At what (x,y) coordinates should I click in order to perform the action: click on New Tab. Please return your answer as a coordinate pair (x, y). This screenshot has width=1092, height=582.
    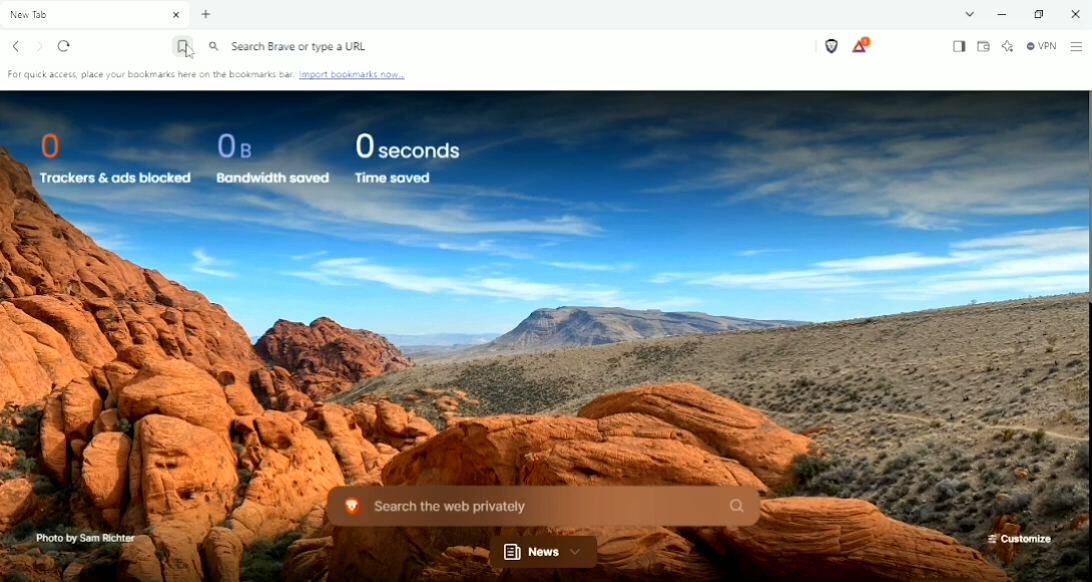
    Looking at the image, I should click on (206, 15).